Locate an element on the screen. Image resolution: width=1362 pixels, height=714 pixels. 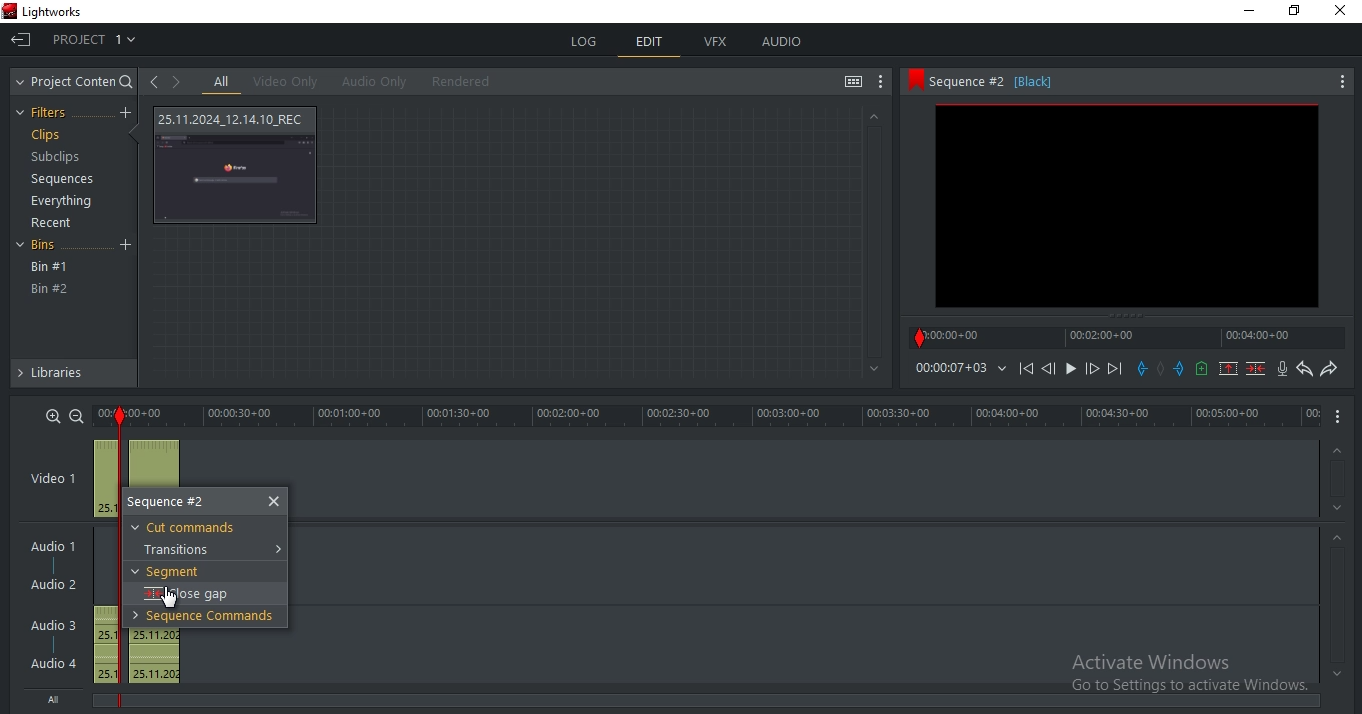
time is located at coordinates (731, 416).